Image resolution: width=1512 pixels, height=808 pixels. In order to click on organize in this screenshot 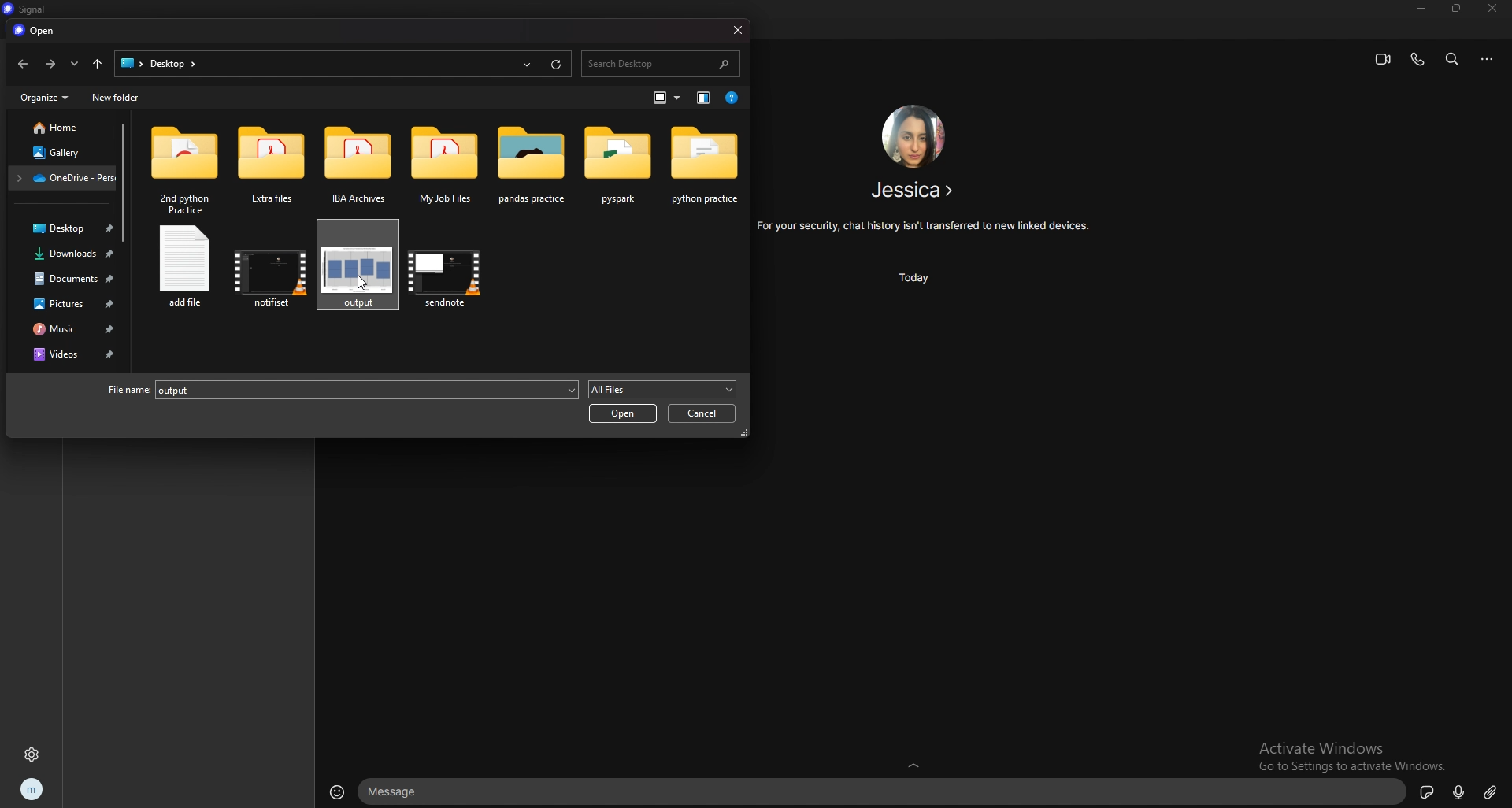, I will do `click(45, 97)`.